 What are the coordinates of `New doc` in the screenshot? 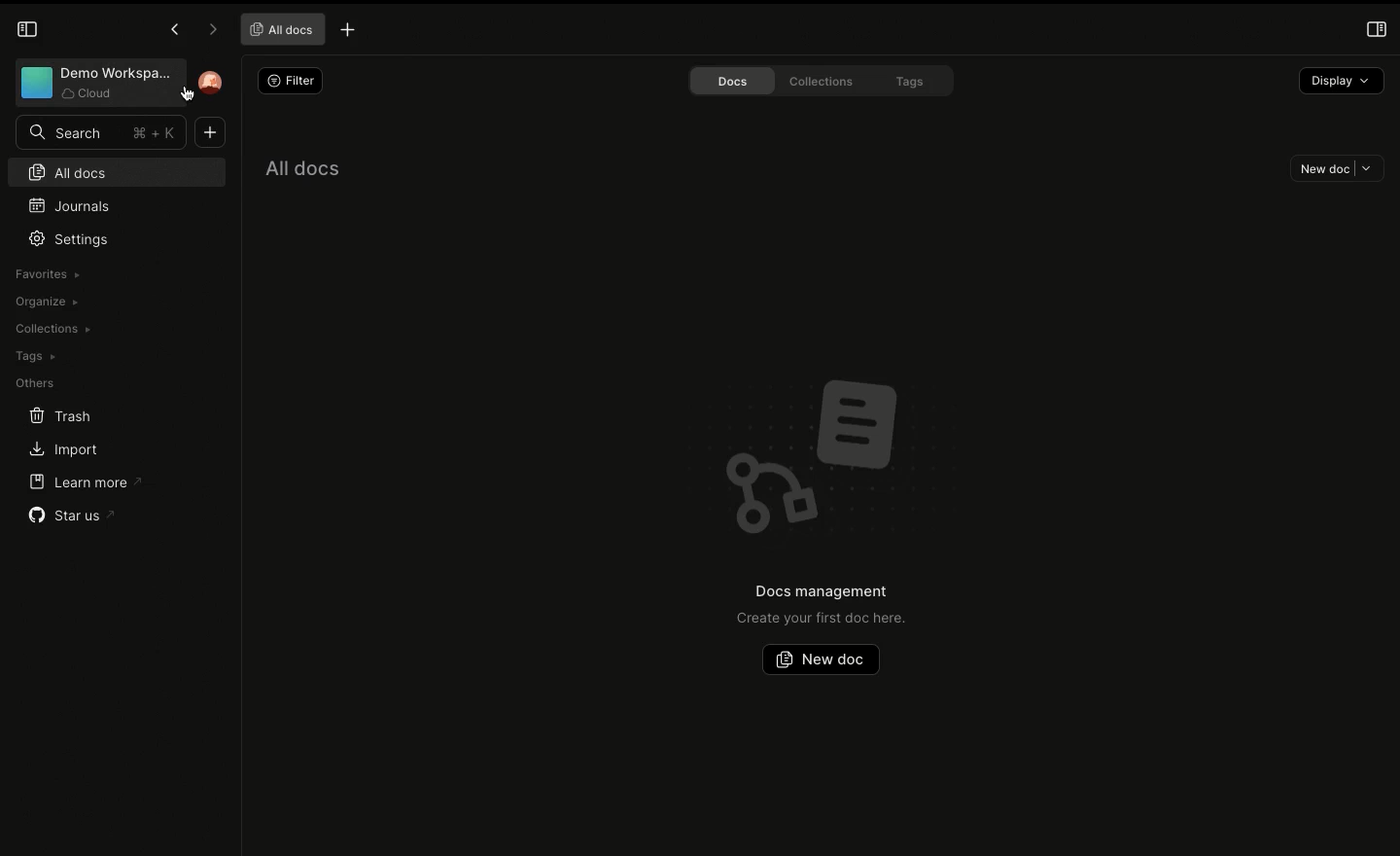 It's located at (820, 659).